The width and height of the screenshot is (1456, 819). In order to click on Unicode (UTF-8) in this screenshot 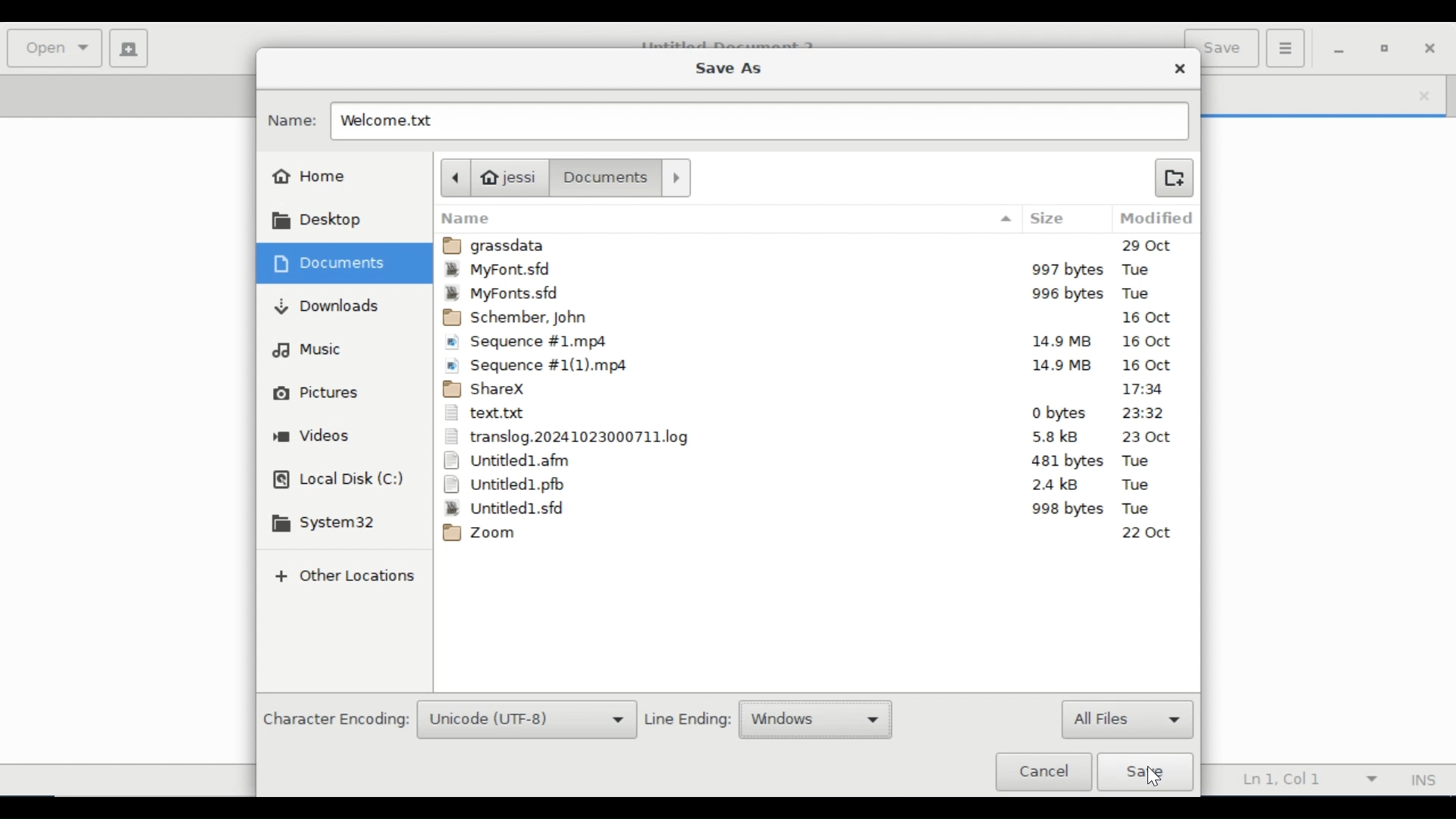, I will do `click(526, 720)`.